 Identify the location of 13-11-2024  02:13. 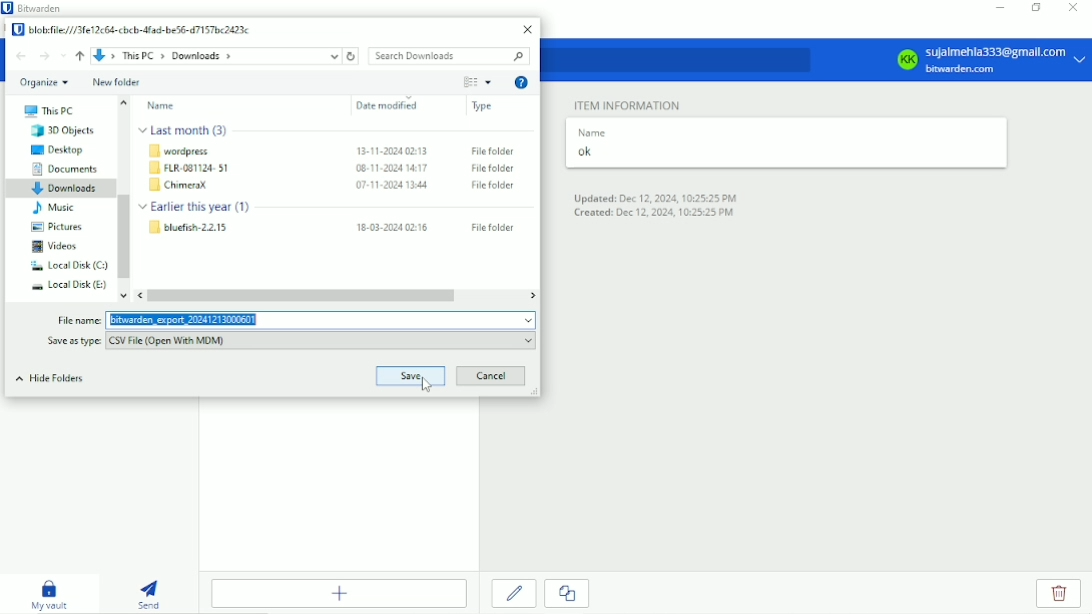
(392, 149).